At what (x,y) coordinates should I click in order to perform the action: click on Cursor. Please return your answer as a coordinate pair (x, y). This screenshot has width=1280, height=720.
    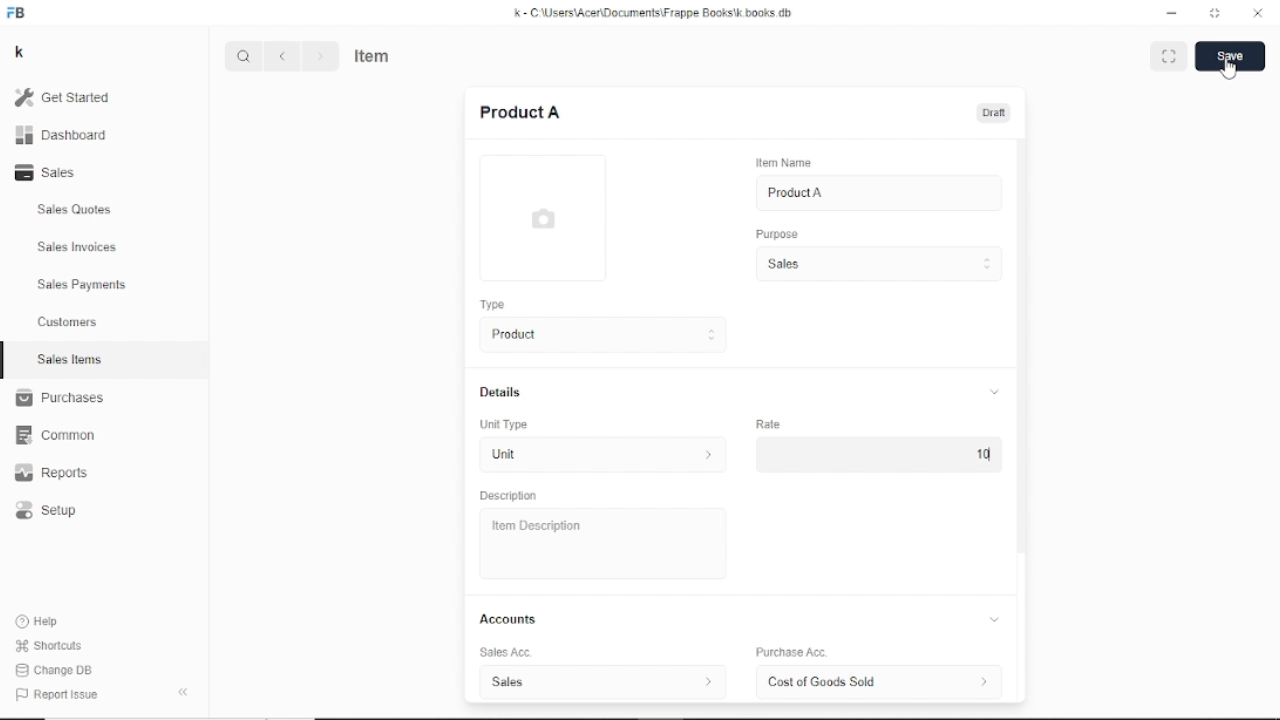
    Looking at the image, I should click on (989, 455).